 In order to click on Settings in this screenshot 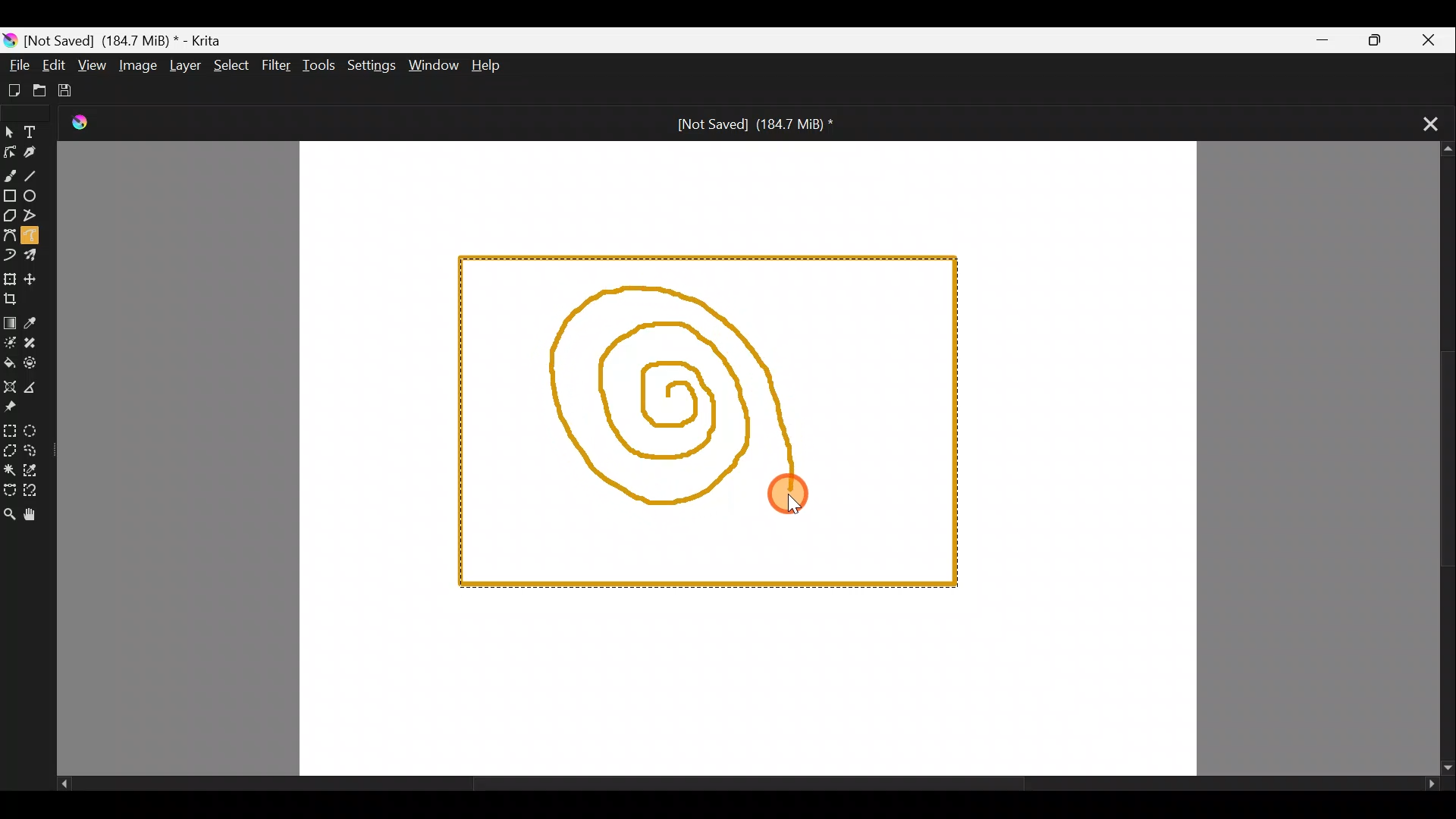, I will do `click(370, 64)`.